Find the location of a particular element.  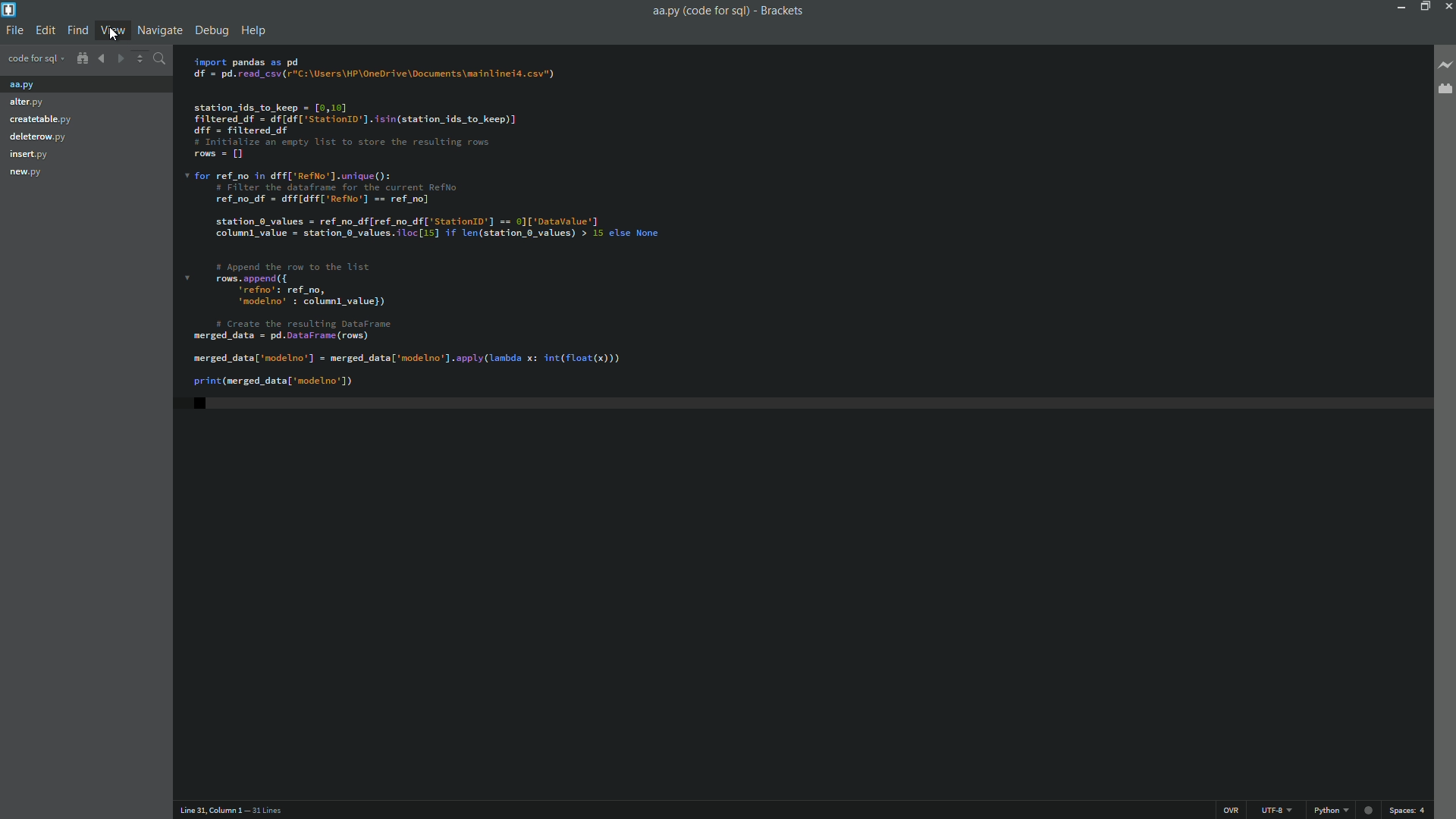

help menu is located at coordinates (254, 30).